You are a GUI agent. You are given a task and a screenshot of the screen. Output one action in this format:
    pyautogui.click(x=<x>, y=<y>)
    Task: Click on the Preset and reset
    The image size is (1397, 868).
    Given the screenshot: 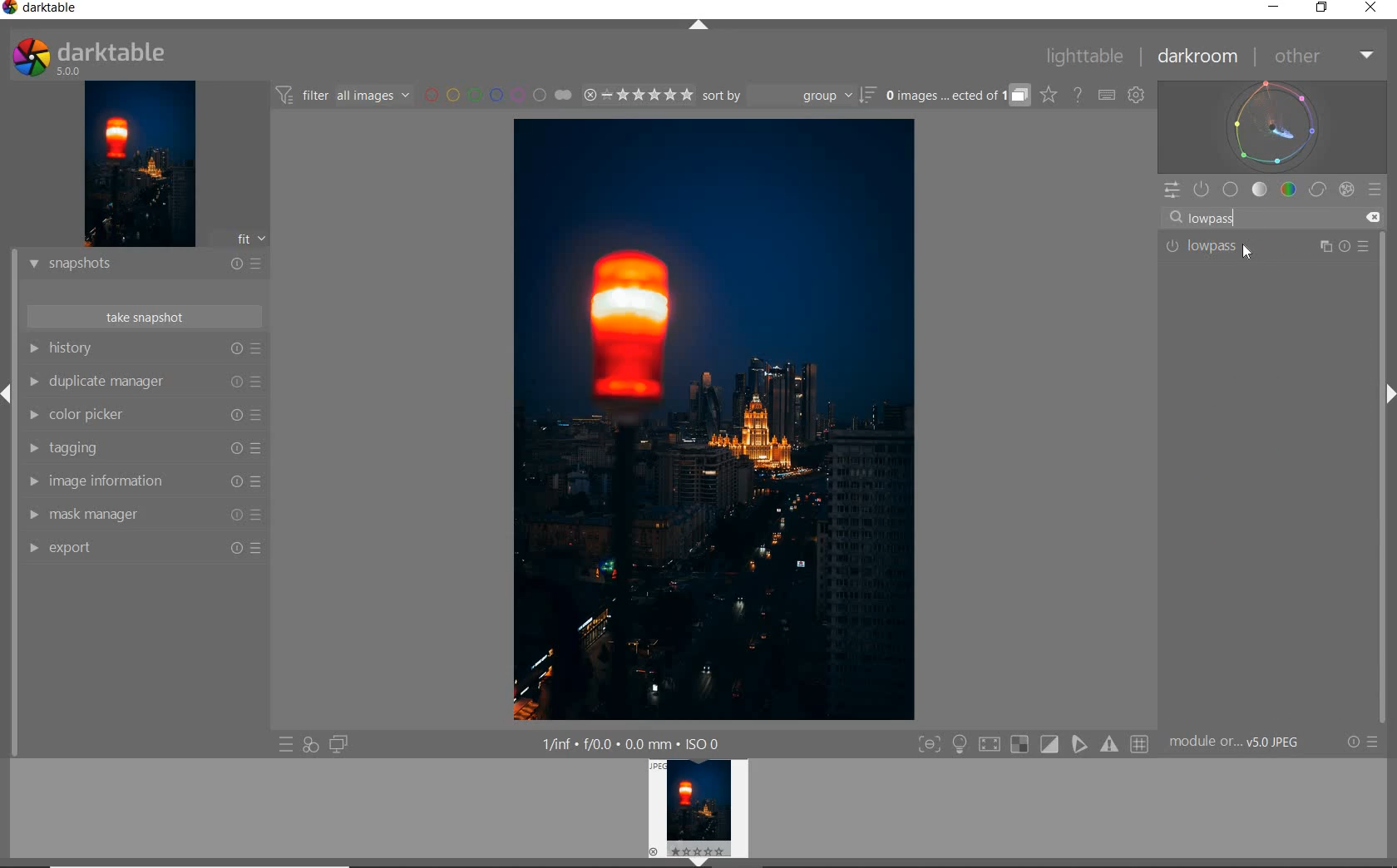 What is the action you would take?
    pyautogui.click(x=259, y=448)
    